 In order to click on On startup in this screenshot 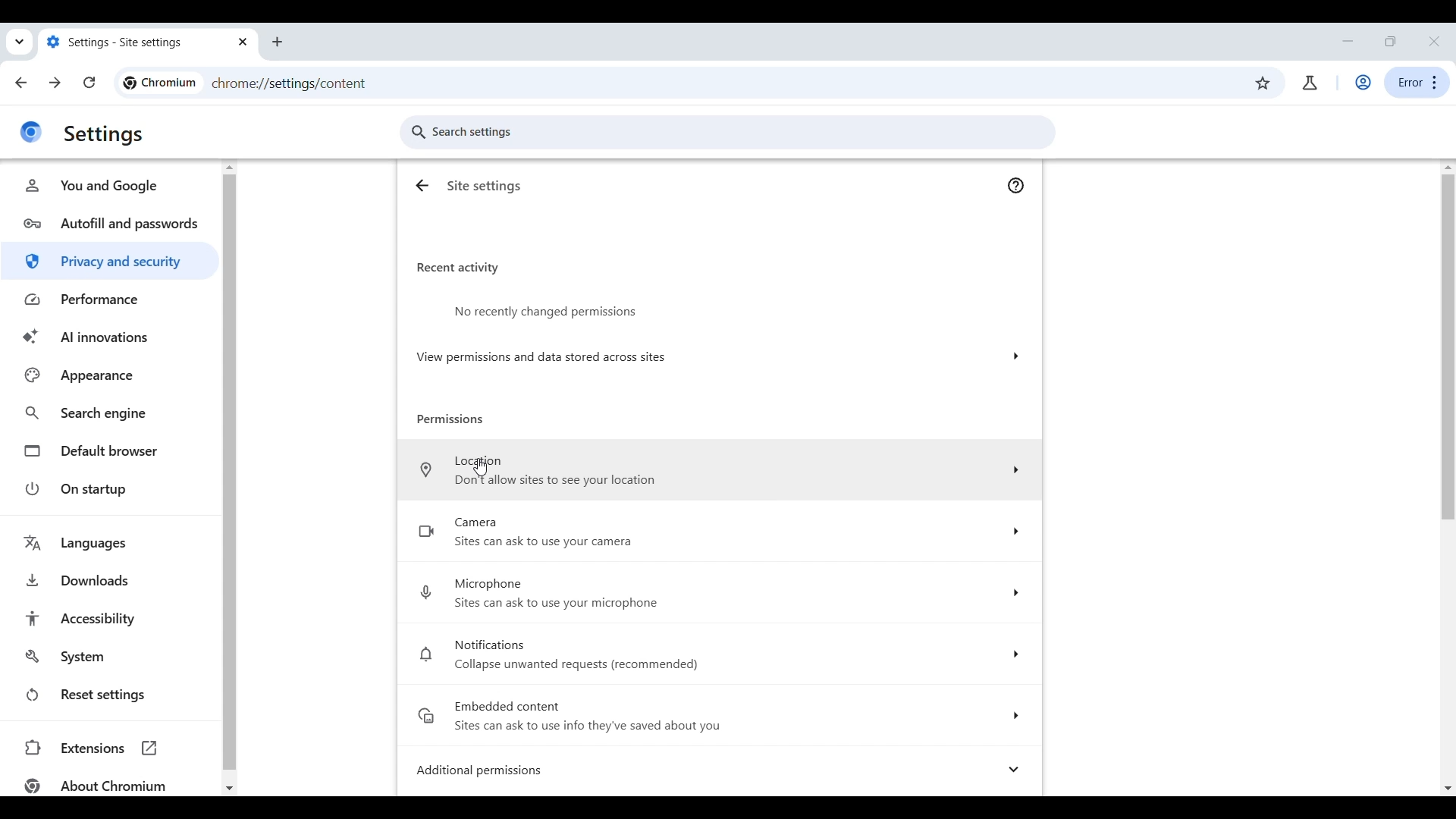, I will do `click(108, 488)`.